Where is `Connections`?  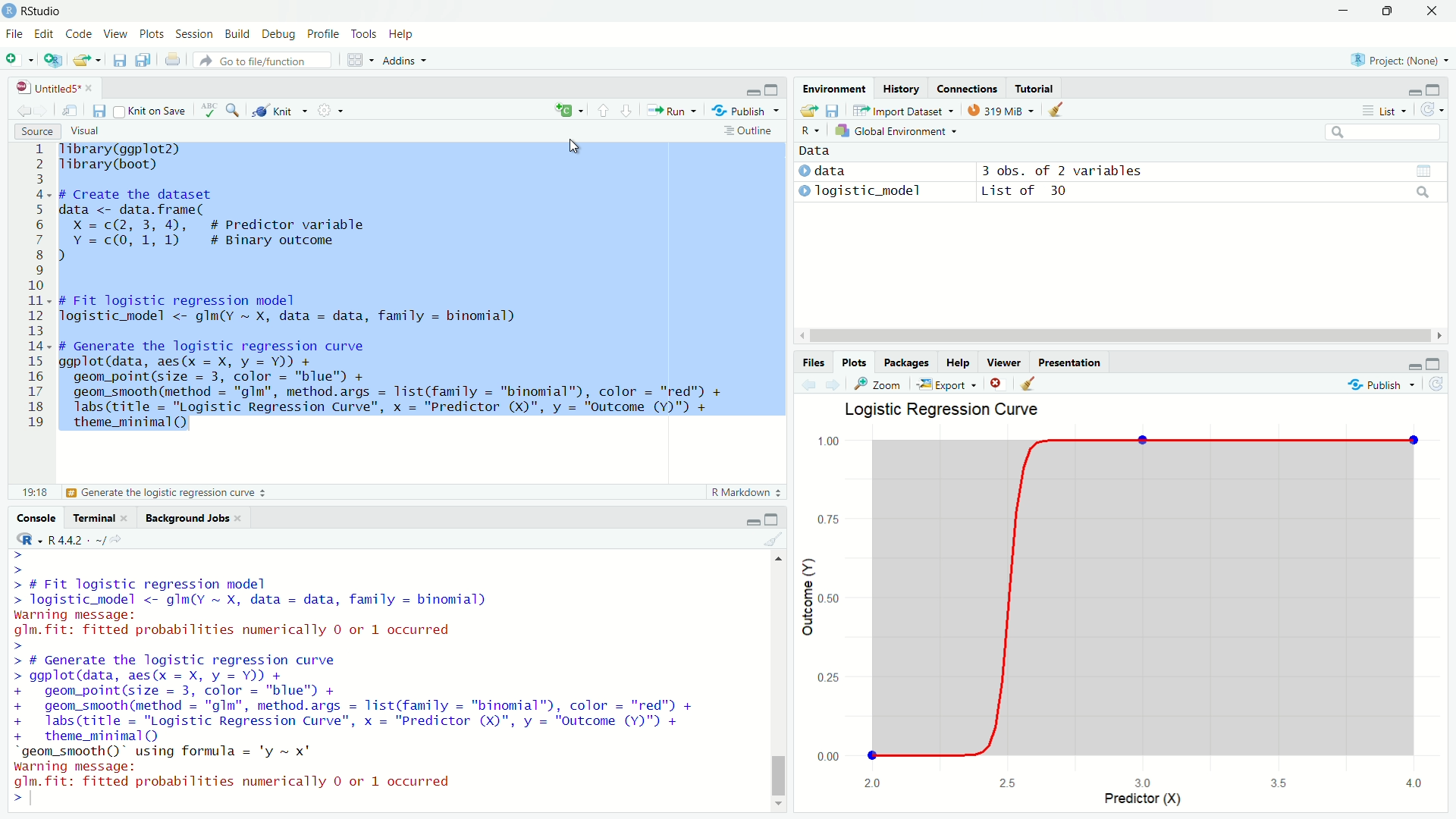 Connections is located at coordinates (967, 88).